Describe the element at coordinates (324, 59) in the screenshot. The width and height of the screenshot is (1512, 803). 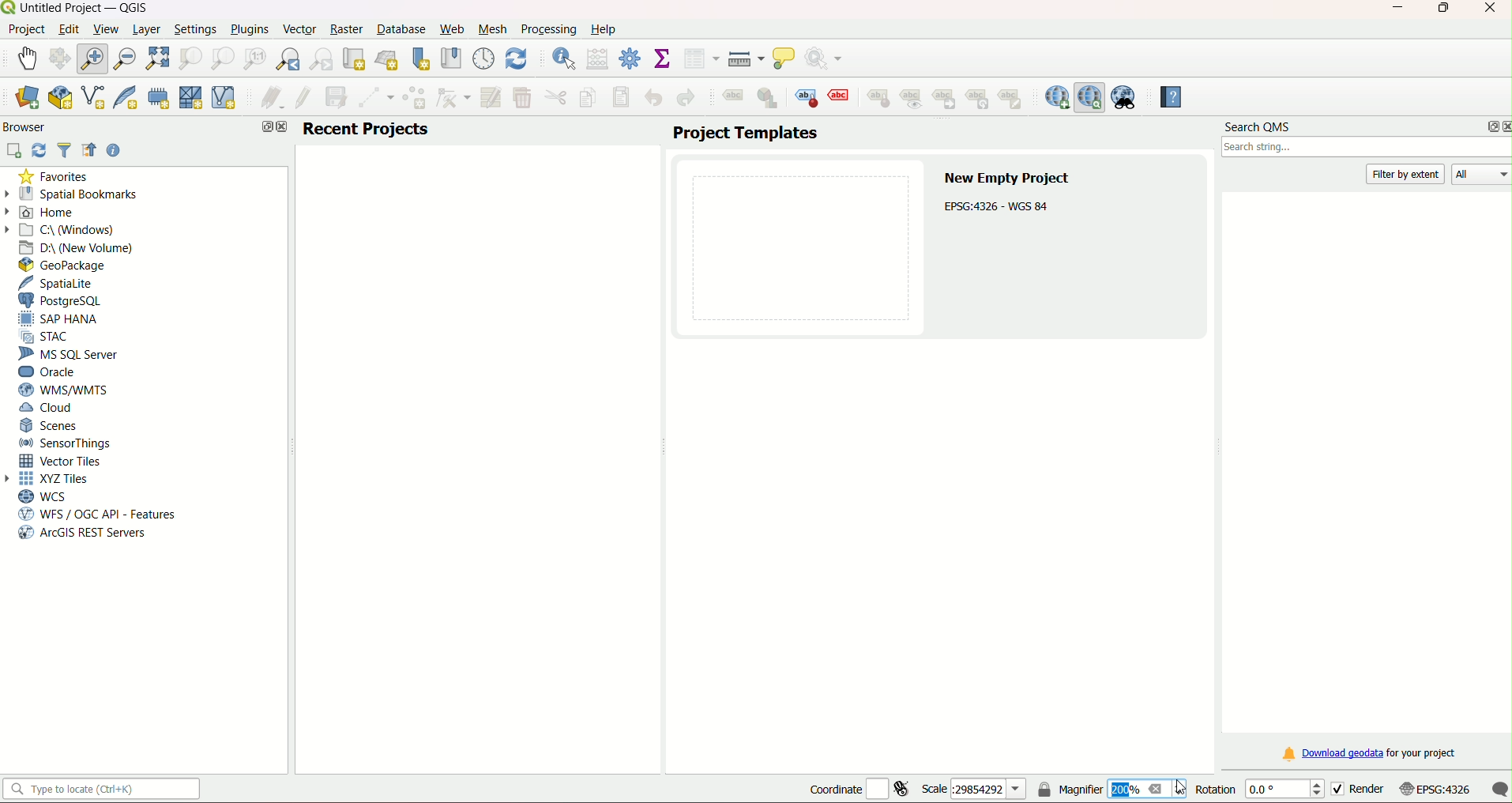
I see `zoom next` at that location.